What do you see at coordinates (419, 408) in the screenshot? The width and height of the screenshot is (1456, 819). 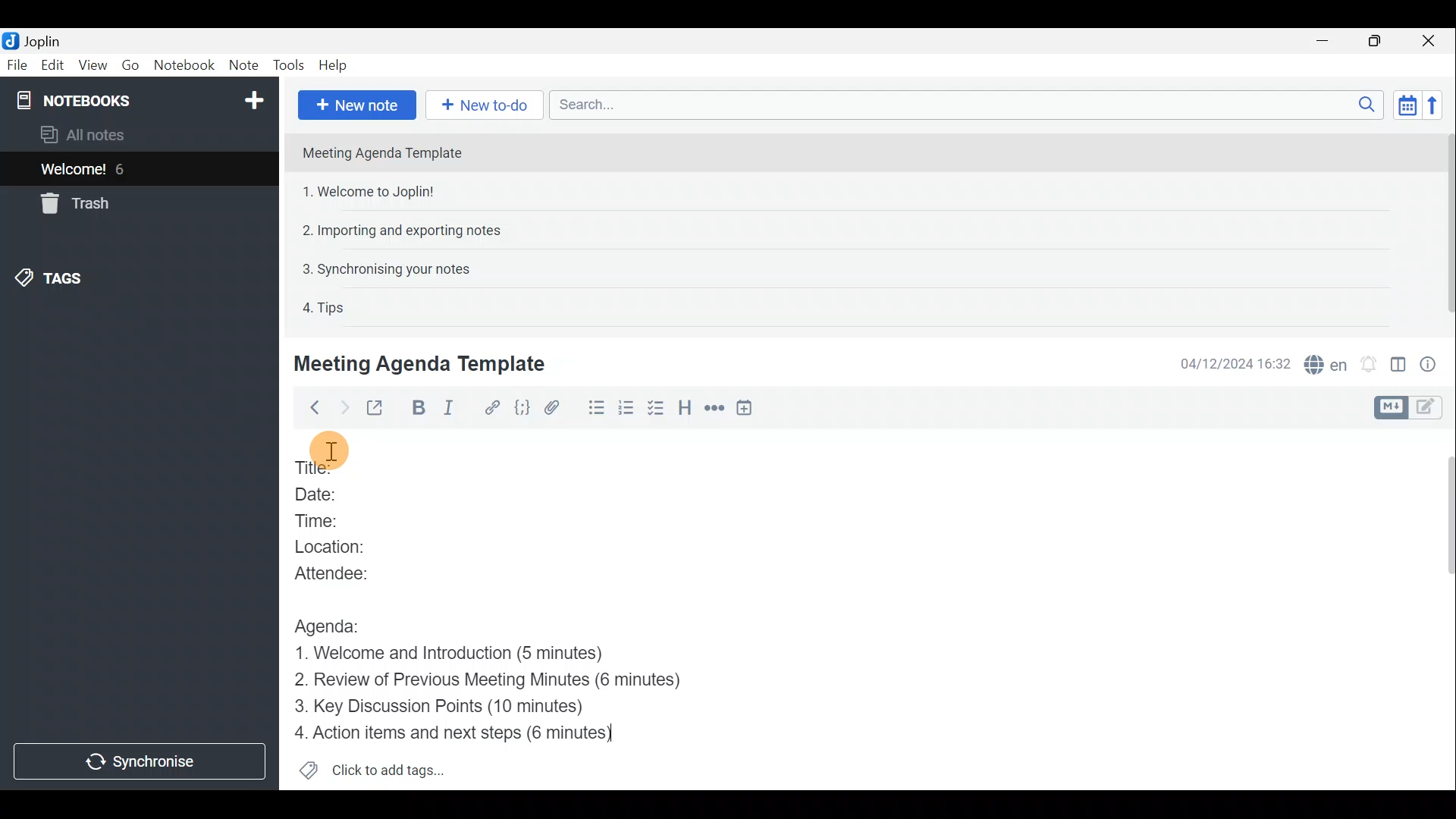 I see `Bold` at bounding box center [419, 408].